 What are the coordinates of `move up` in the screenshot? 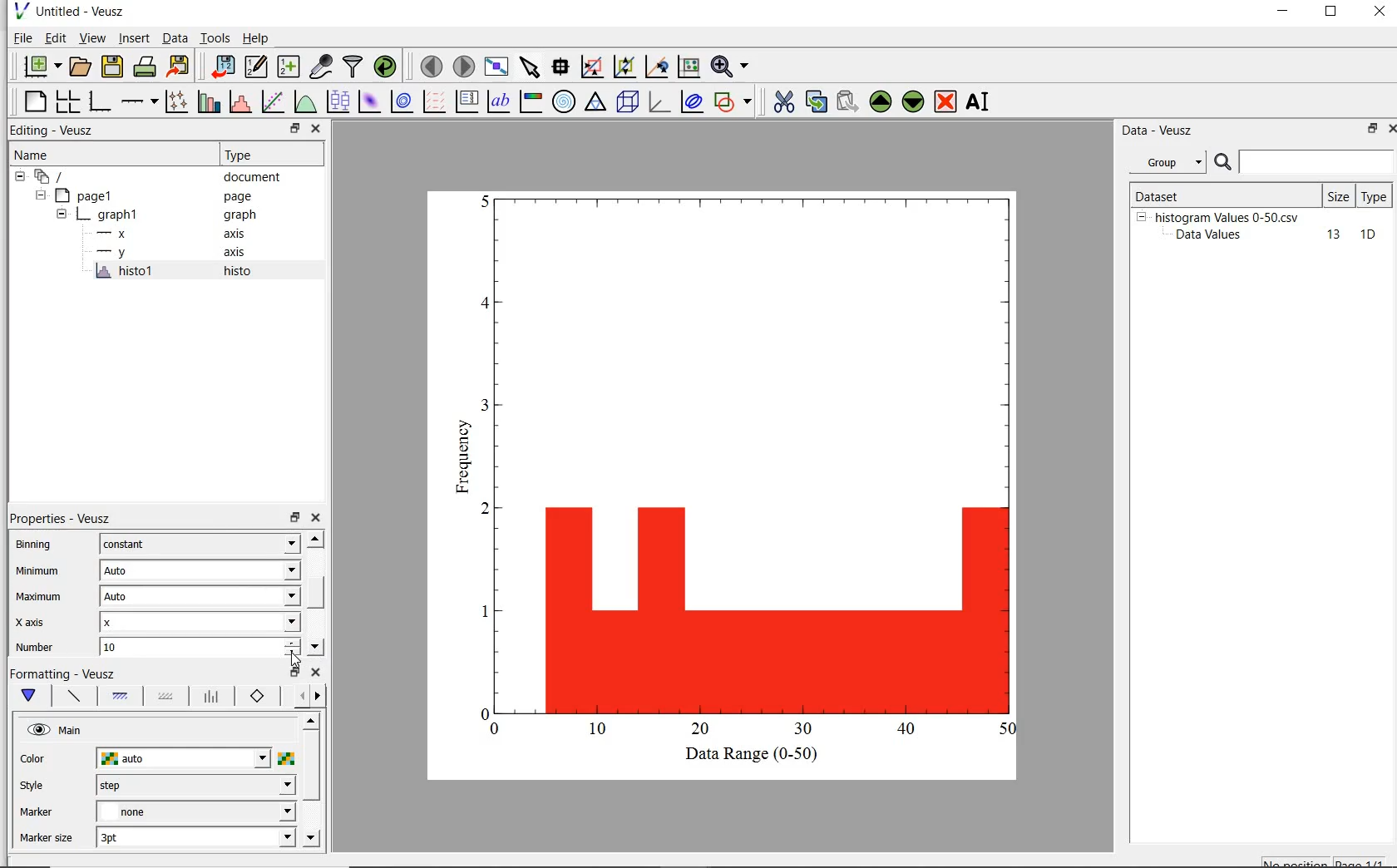 It's located at (314, 538).